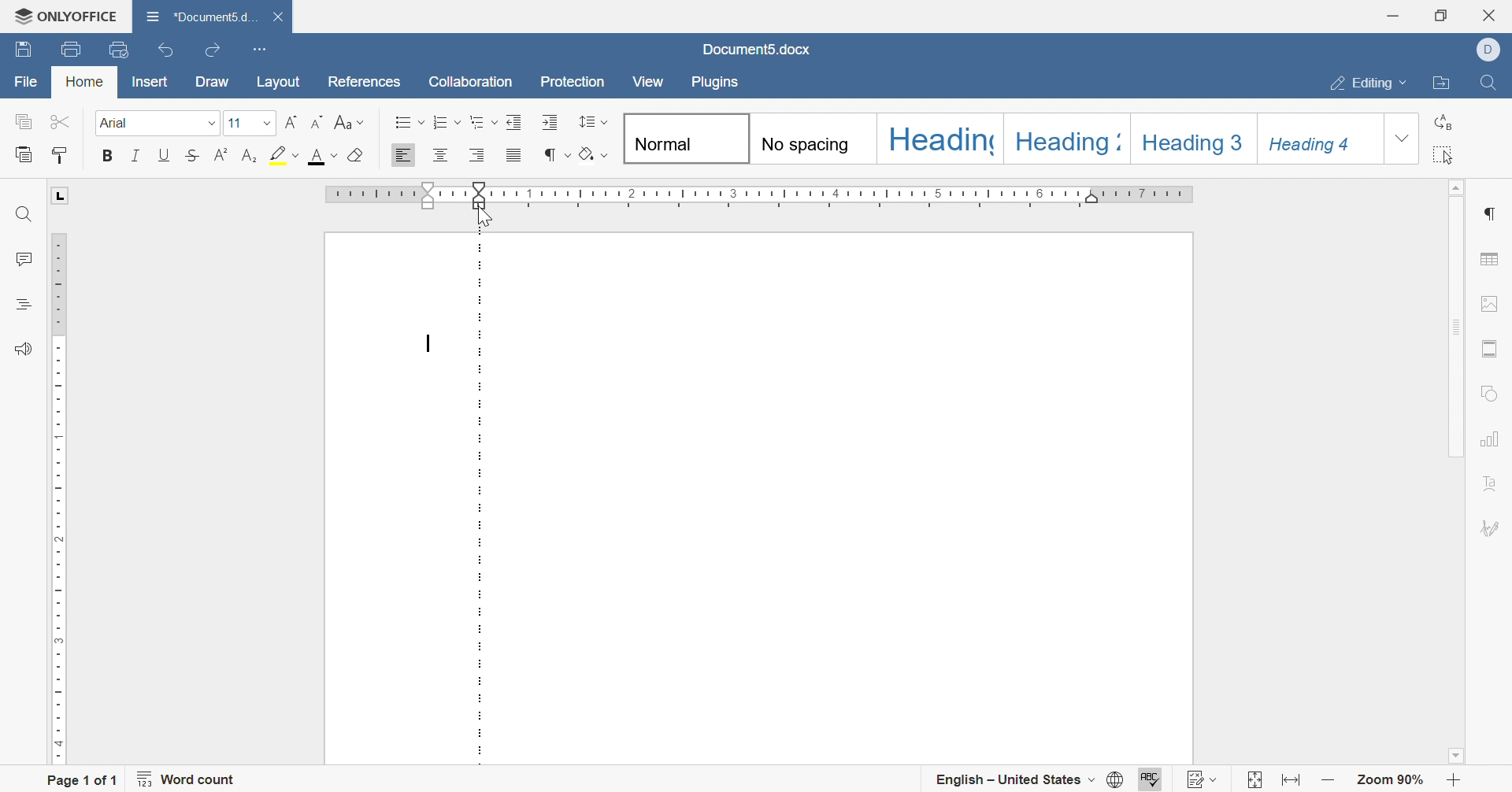 The image size is (1512, 792). Describe the element at coordinates (146, 84) in the screenshot. I see `insert` at that location.